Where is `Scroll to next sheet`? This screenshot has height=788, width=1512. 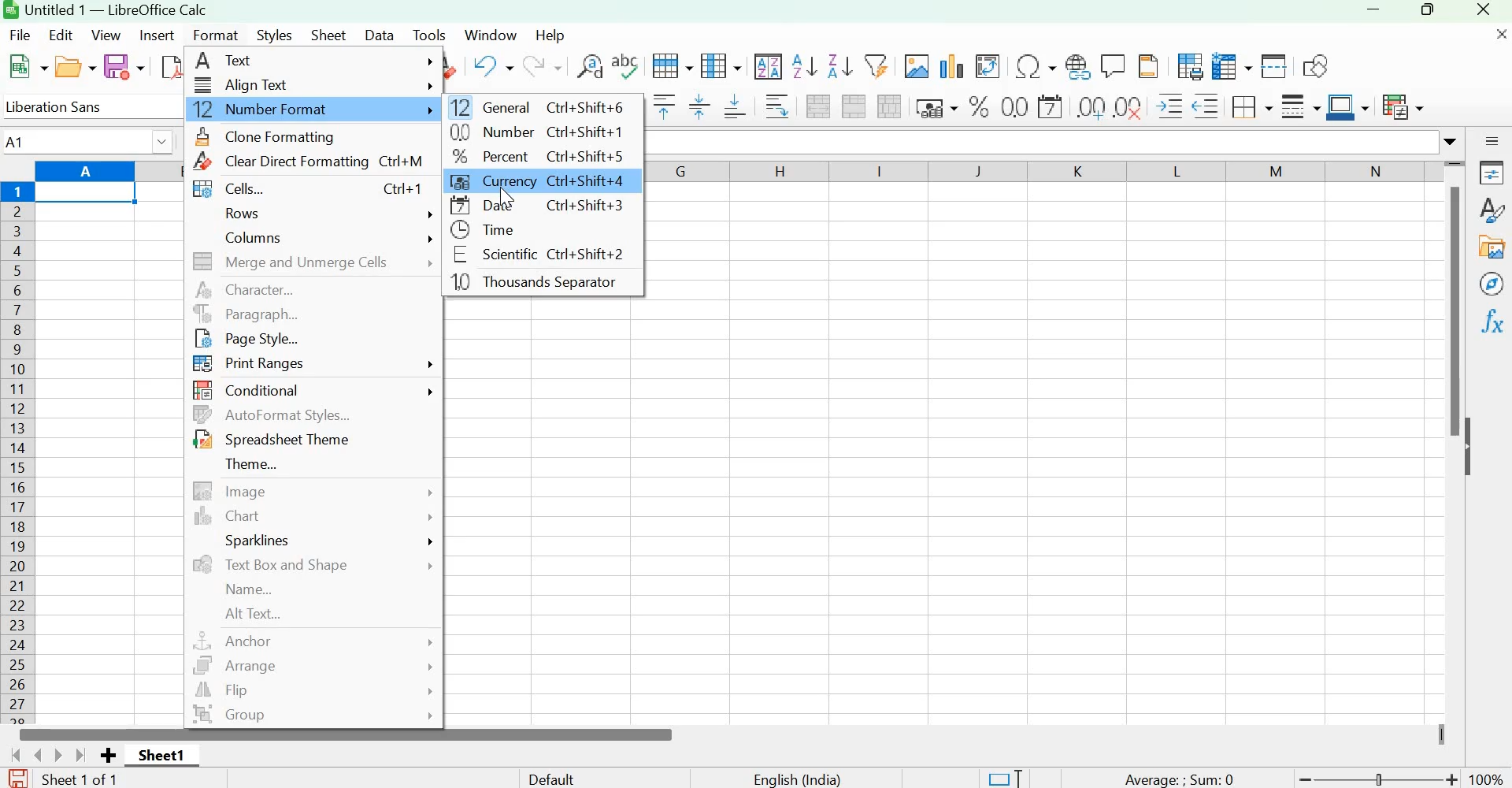
Scroll to next sheet is located at coordinates (60, 755).